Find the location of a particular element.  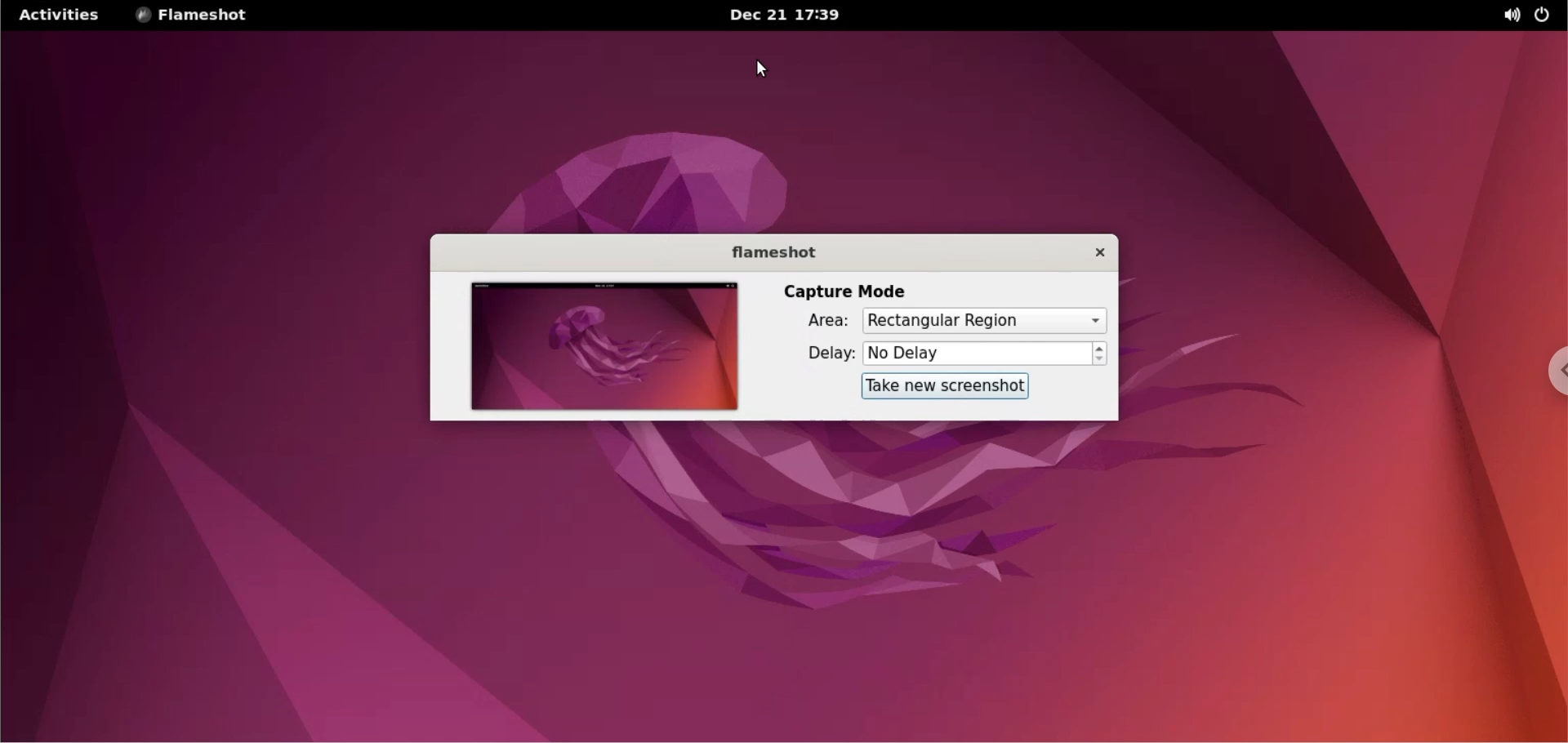

flameshot  is located at coordinates (770, 252).